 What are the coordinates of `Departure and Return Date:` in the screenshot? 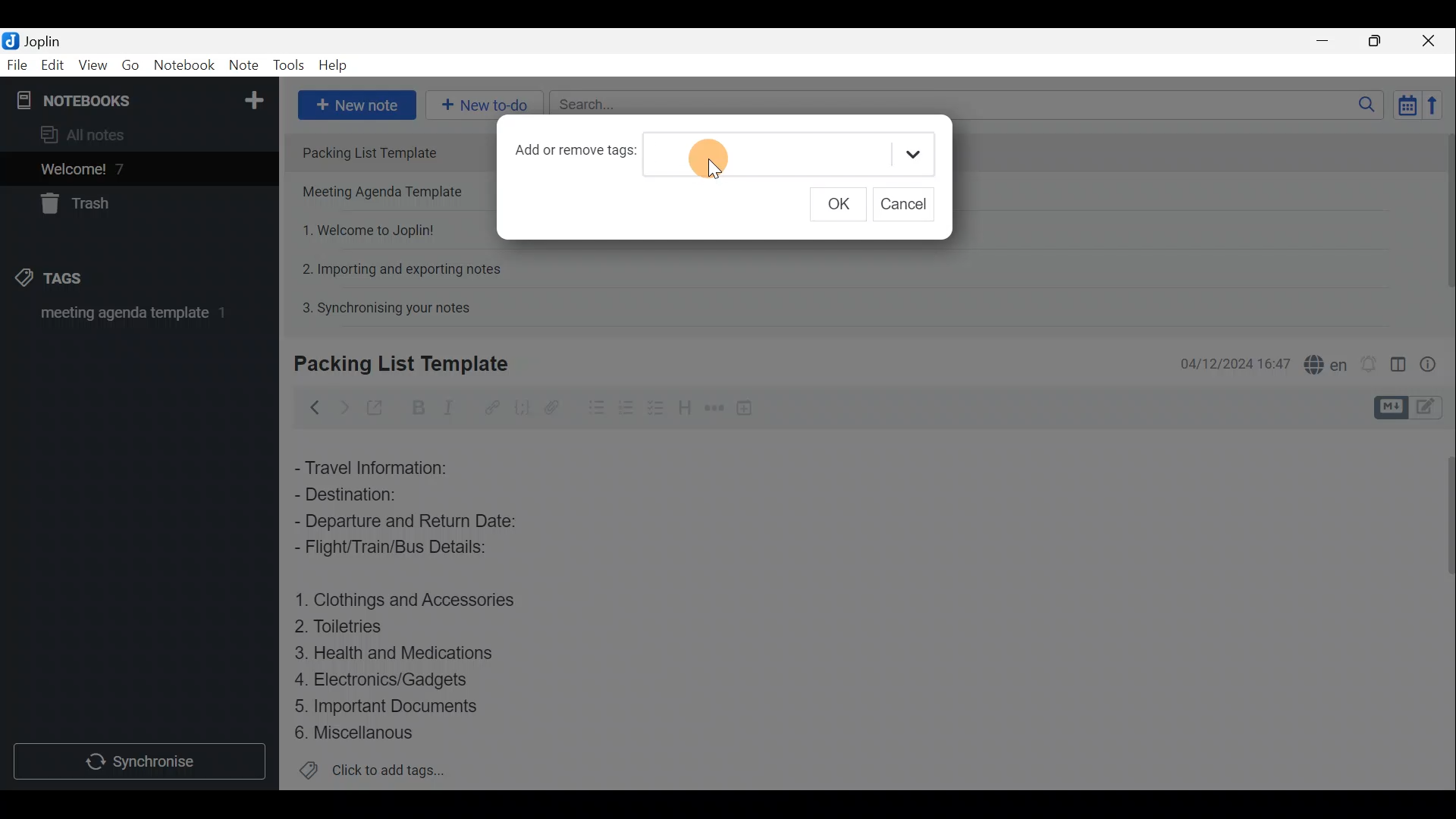 It's located at (407, 523).